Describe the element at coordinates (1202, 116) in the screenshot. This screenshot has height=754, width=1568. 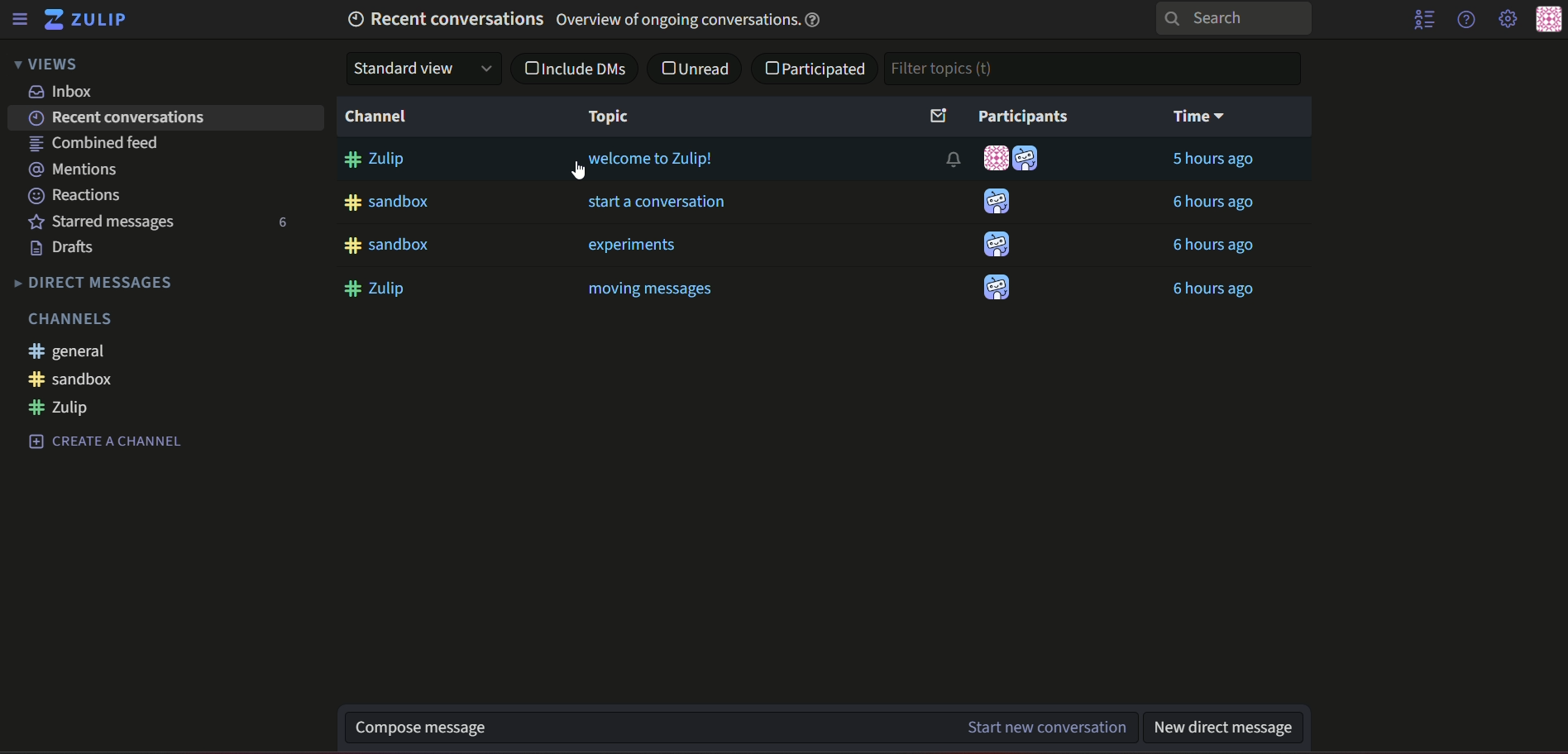
I see `Time` at that location.